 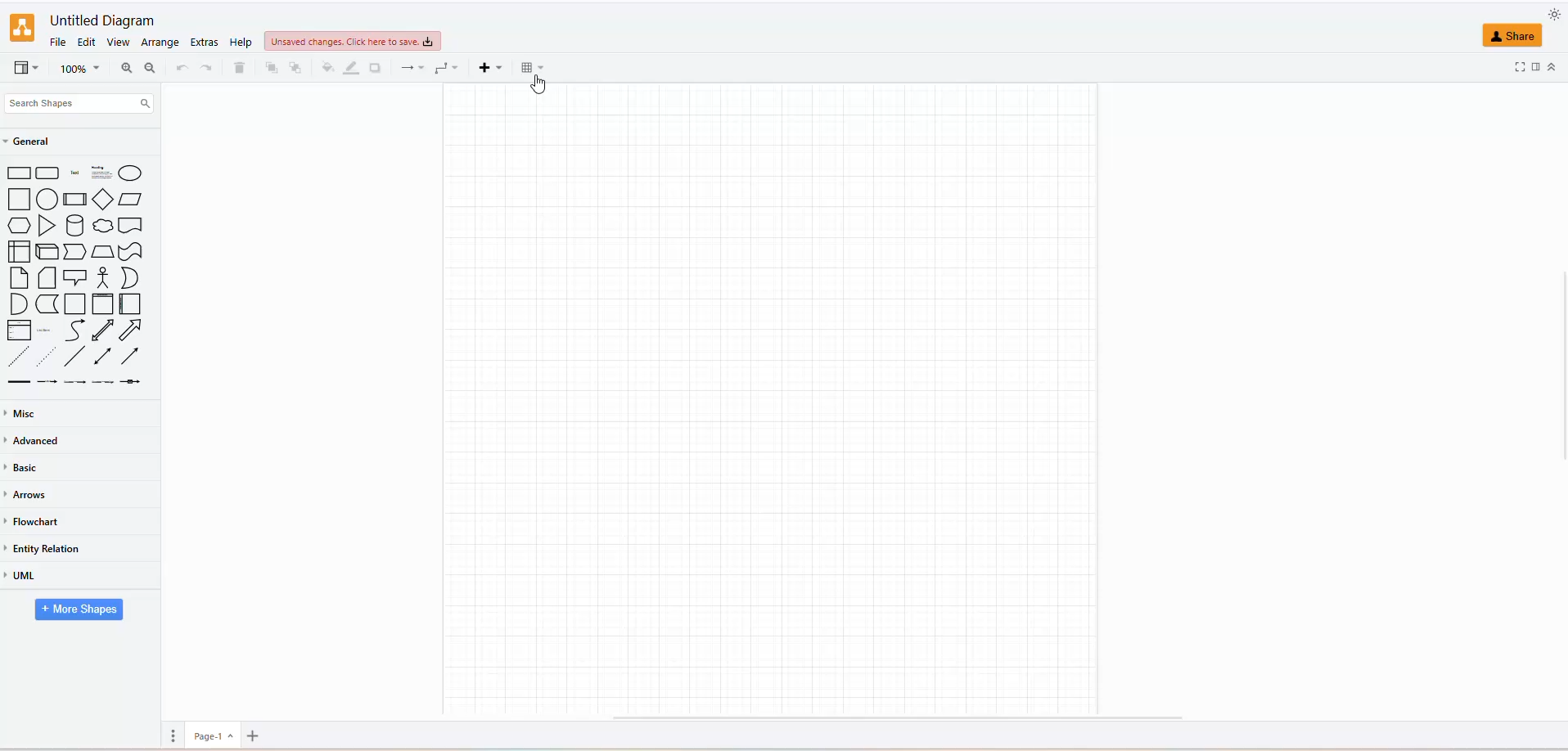 What do you see at coordinates (35, 520) in the screenshot?
I see `flowchart` at bounding box center [35, 520].